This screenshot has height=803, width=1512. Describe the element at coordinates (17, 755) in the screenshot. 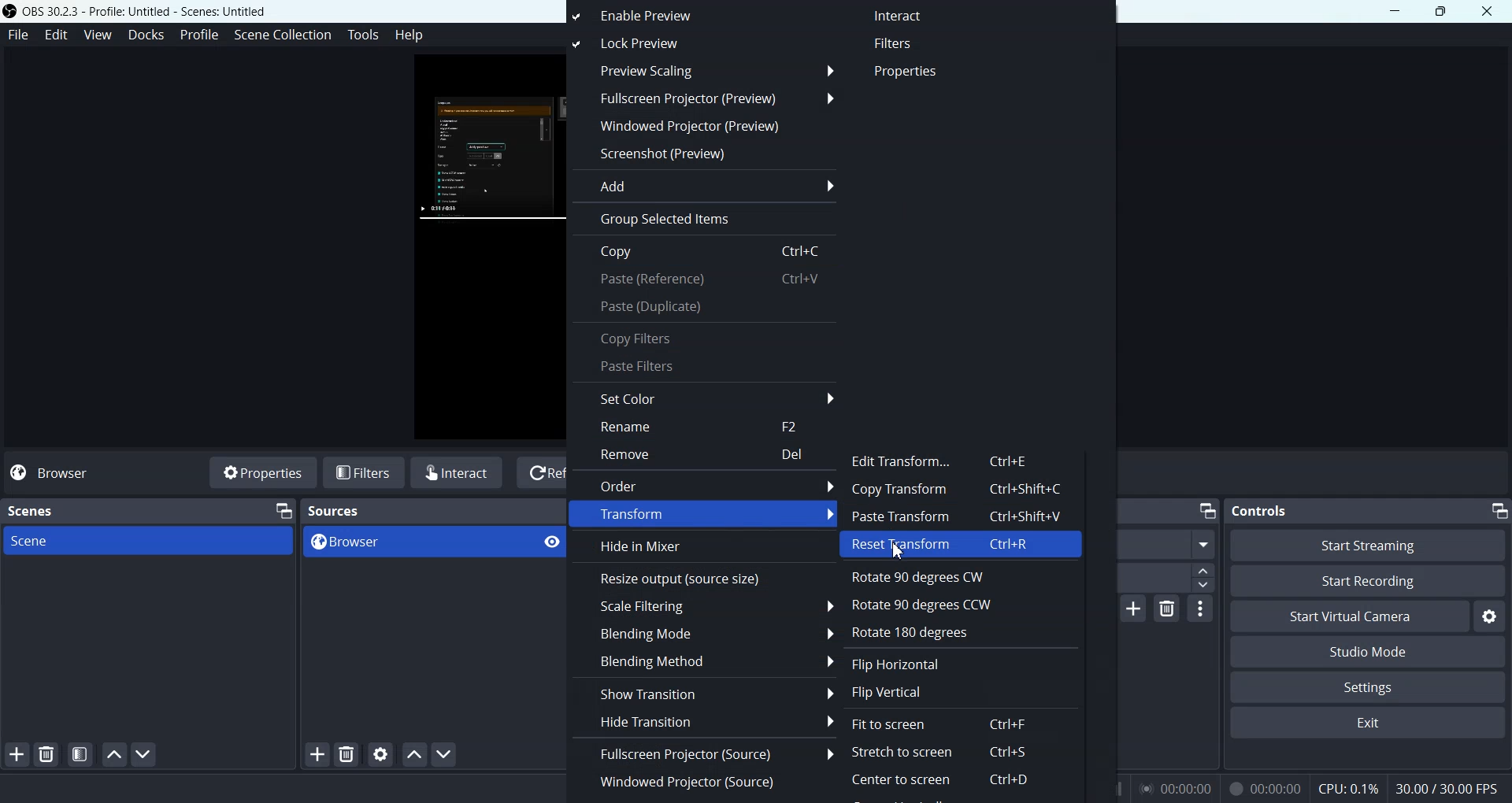

I see `Add Scene` at that location.